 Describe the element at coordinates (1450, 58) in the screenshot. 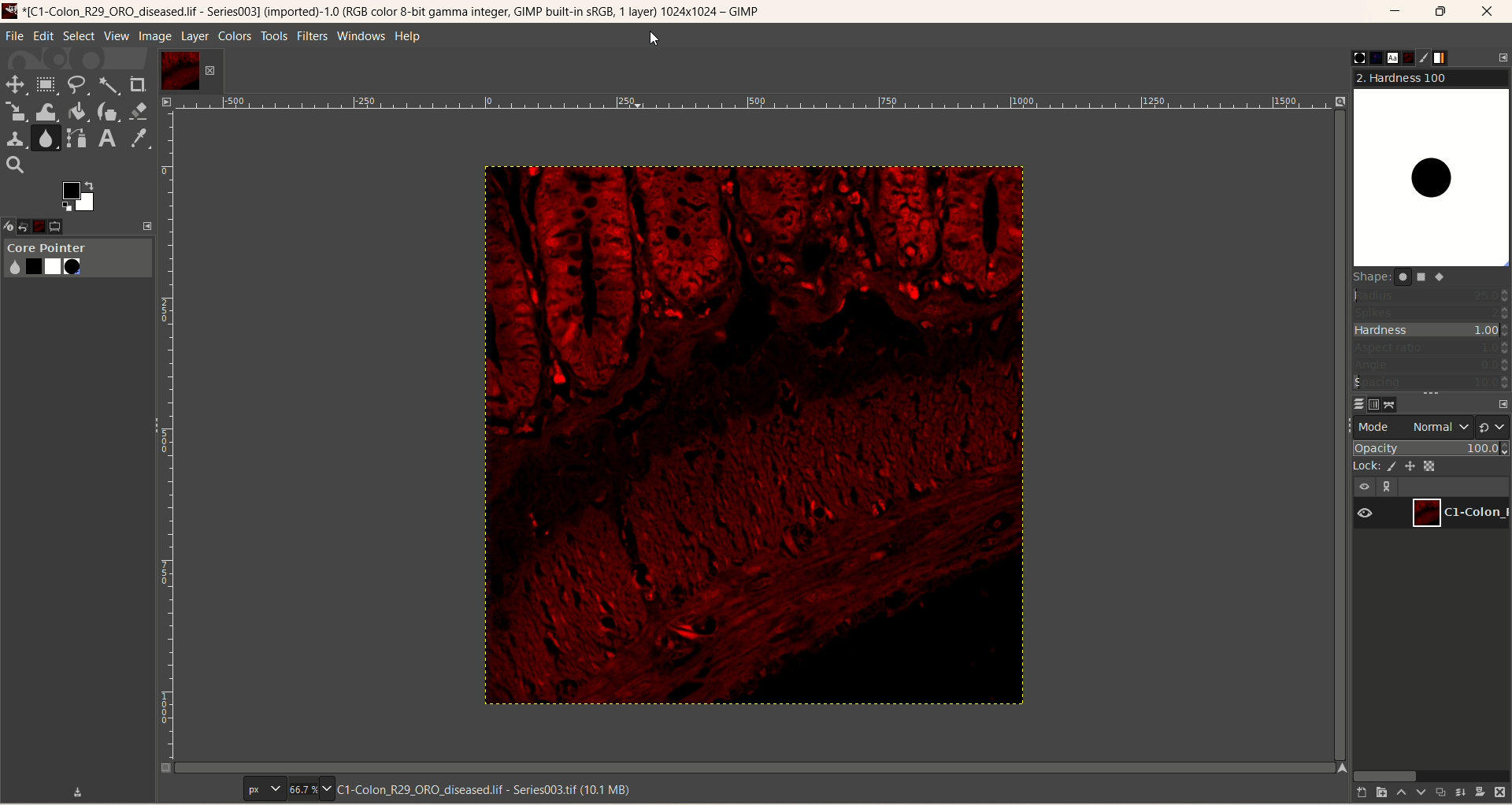

I see `gradient` at that location.